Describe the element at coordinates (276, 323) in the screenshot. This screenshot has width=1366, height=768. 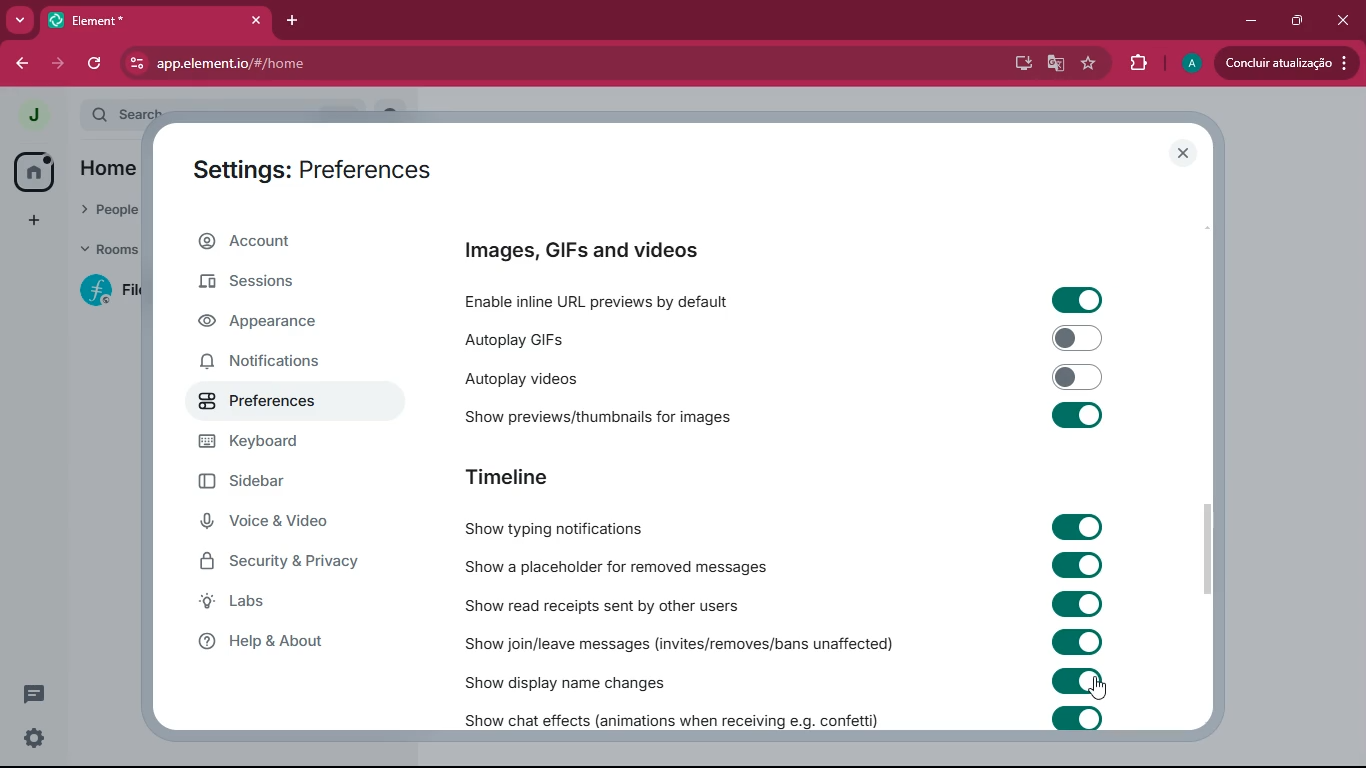
I see `appearance` at that location.